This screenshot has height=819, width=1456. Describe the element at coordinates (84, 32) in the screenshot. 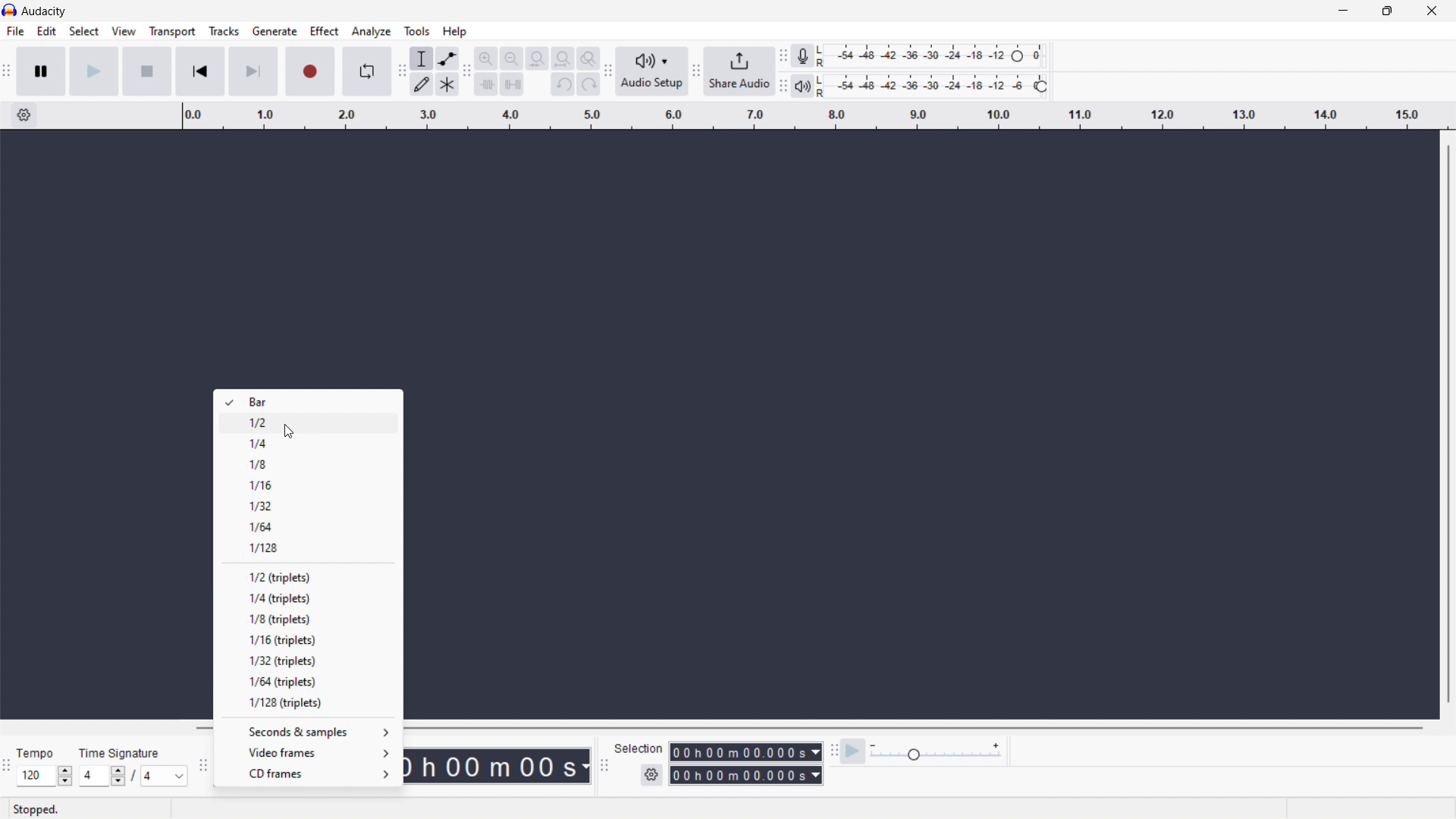

I see `select` at that location.